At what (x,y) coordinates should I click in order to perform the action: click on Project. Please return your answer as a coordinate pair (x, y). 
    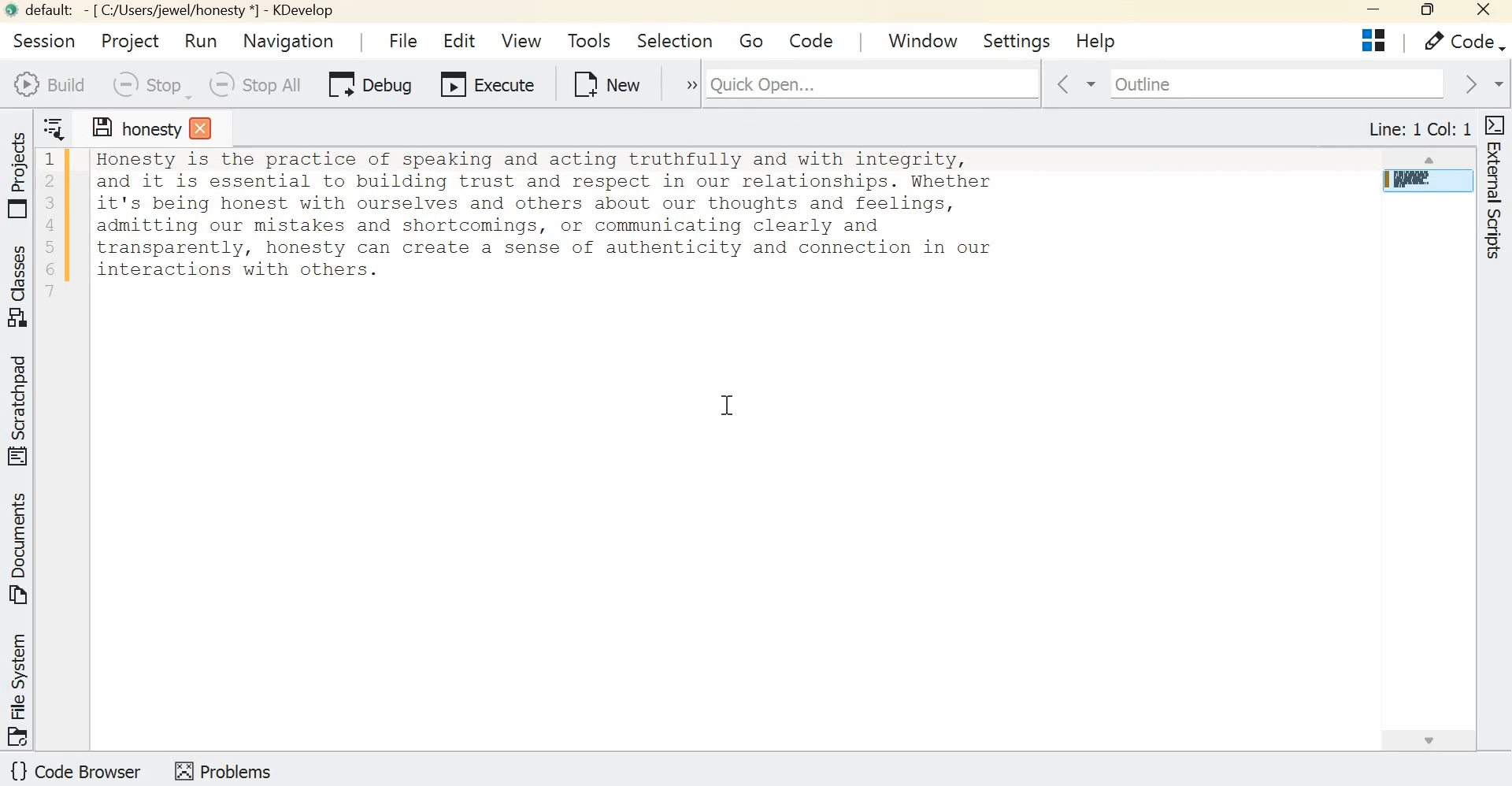
    Looking at the image, I should click on (128, 39).